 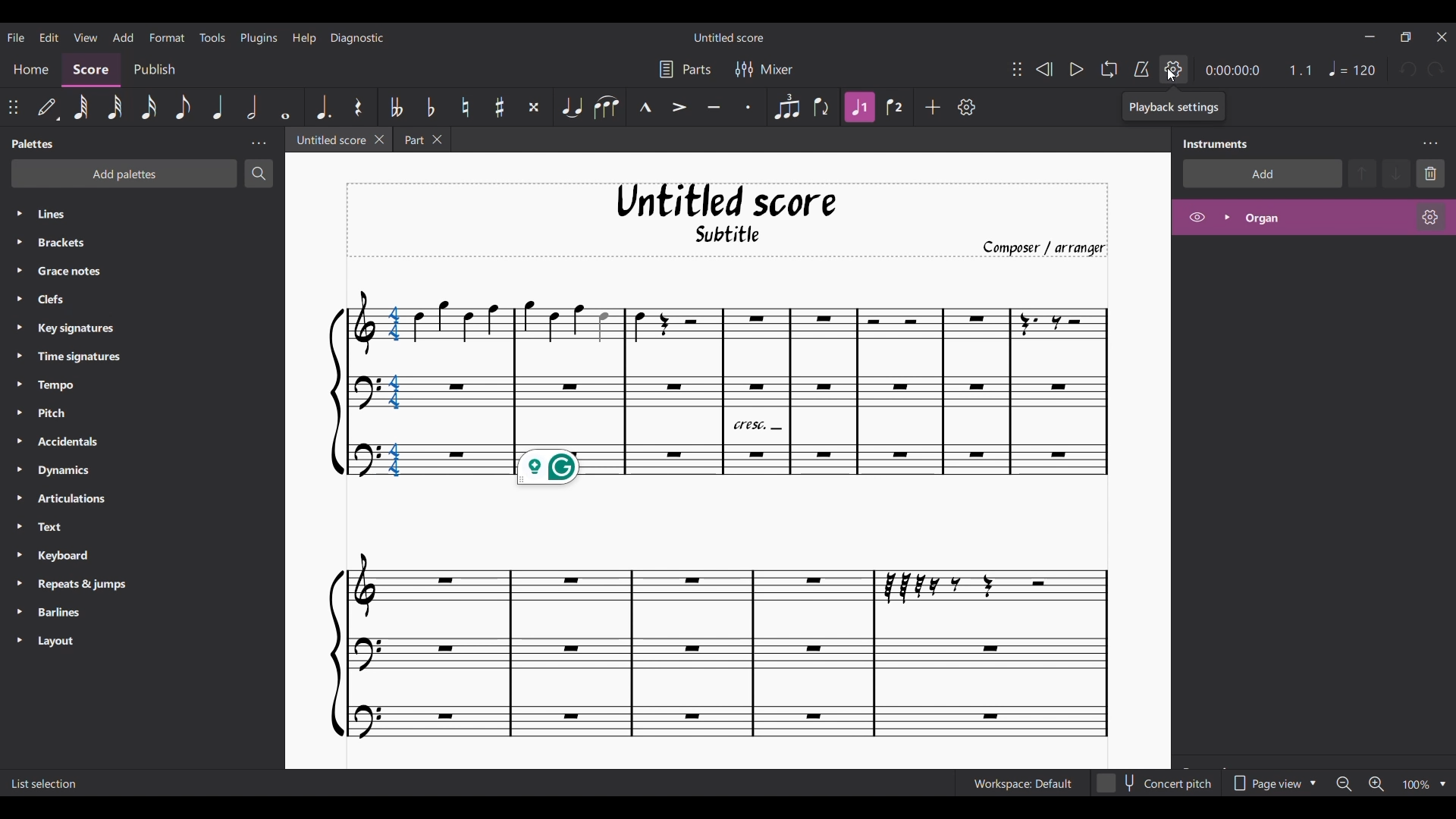 I want to click on Close current tab, so click(x=379, y=140).